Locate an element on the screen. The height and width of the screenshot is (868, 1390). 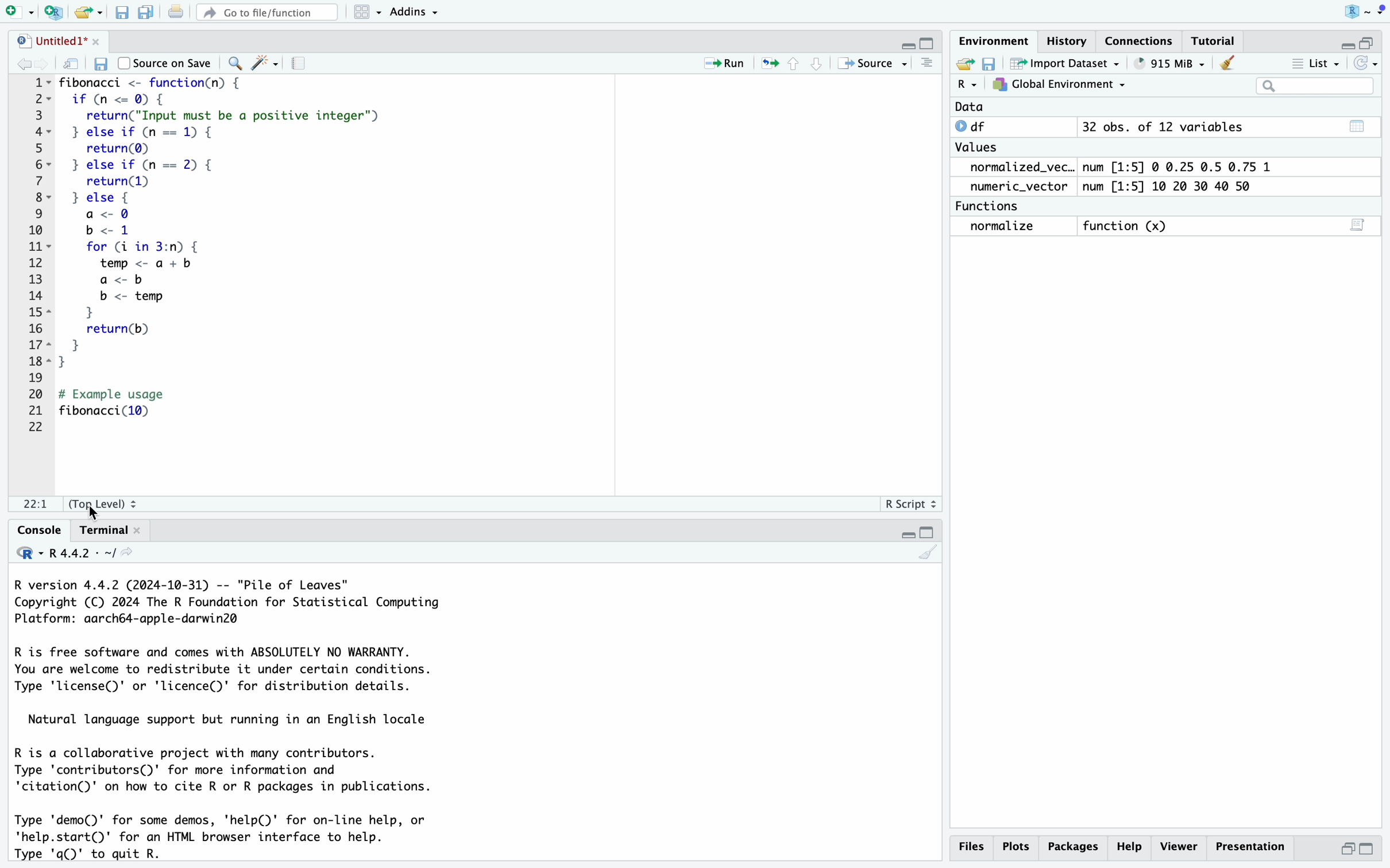
maximize is located at coordinates (1374, 41).